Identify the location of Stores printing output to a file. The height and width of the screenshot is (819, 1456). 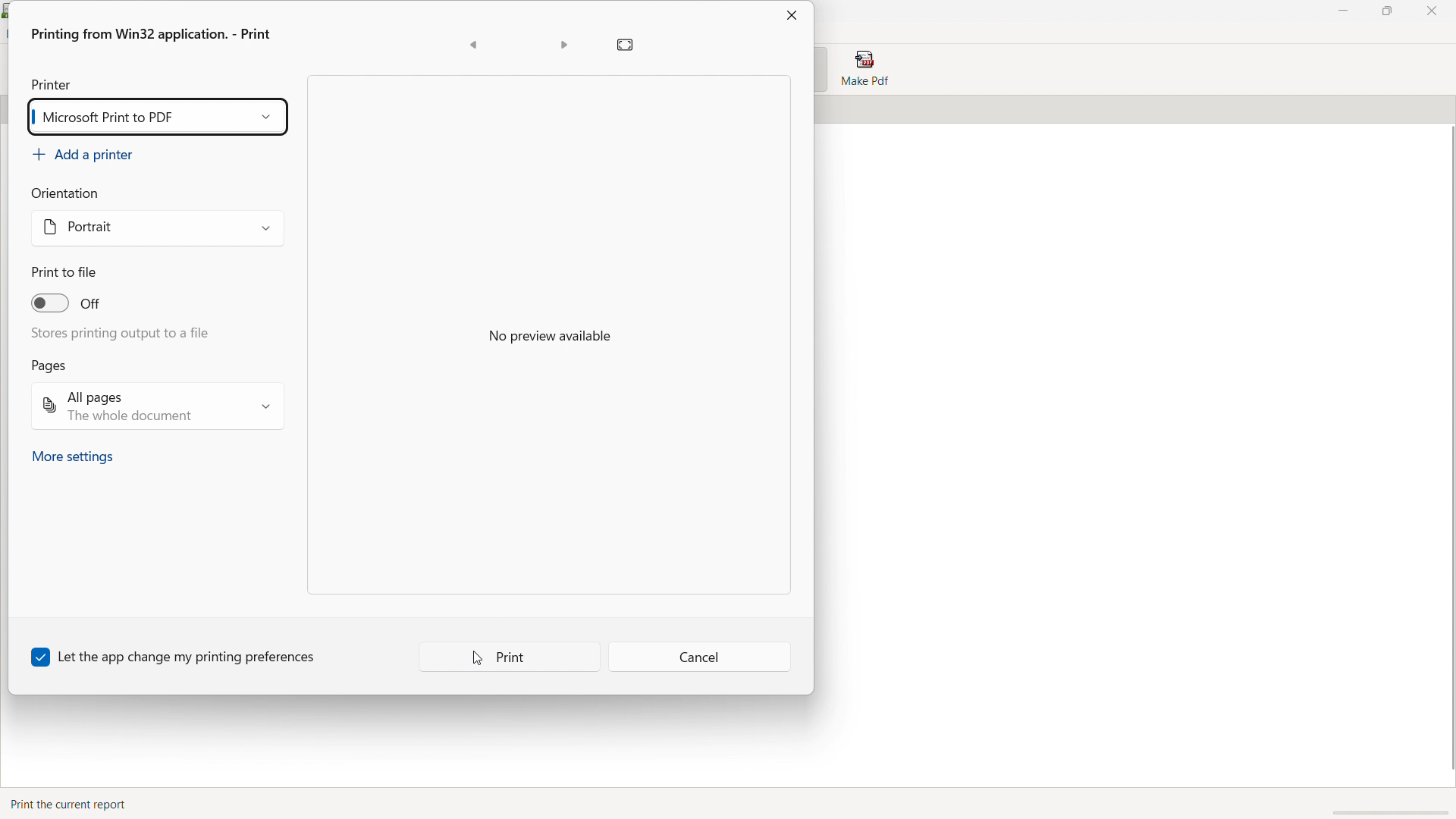
(124, 332).